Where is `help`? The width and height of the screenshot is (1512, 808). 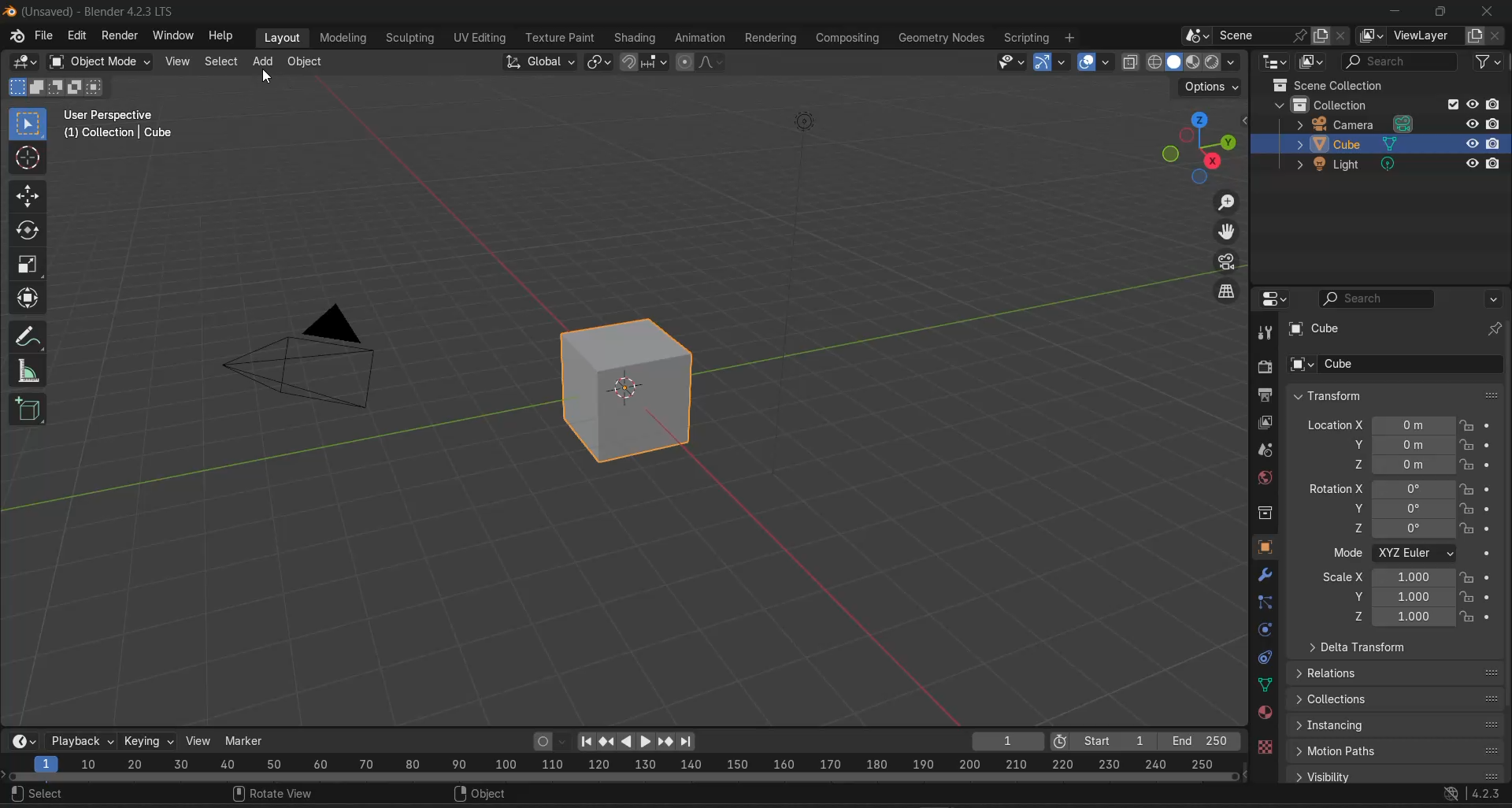 help is located at coordinates (224, 36).